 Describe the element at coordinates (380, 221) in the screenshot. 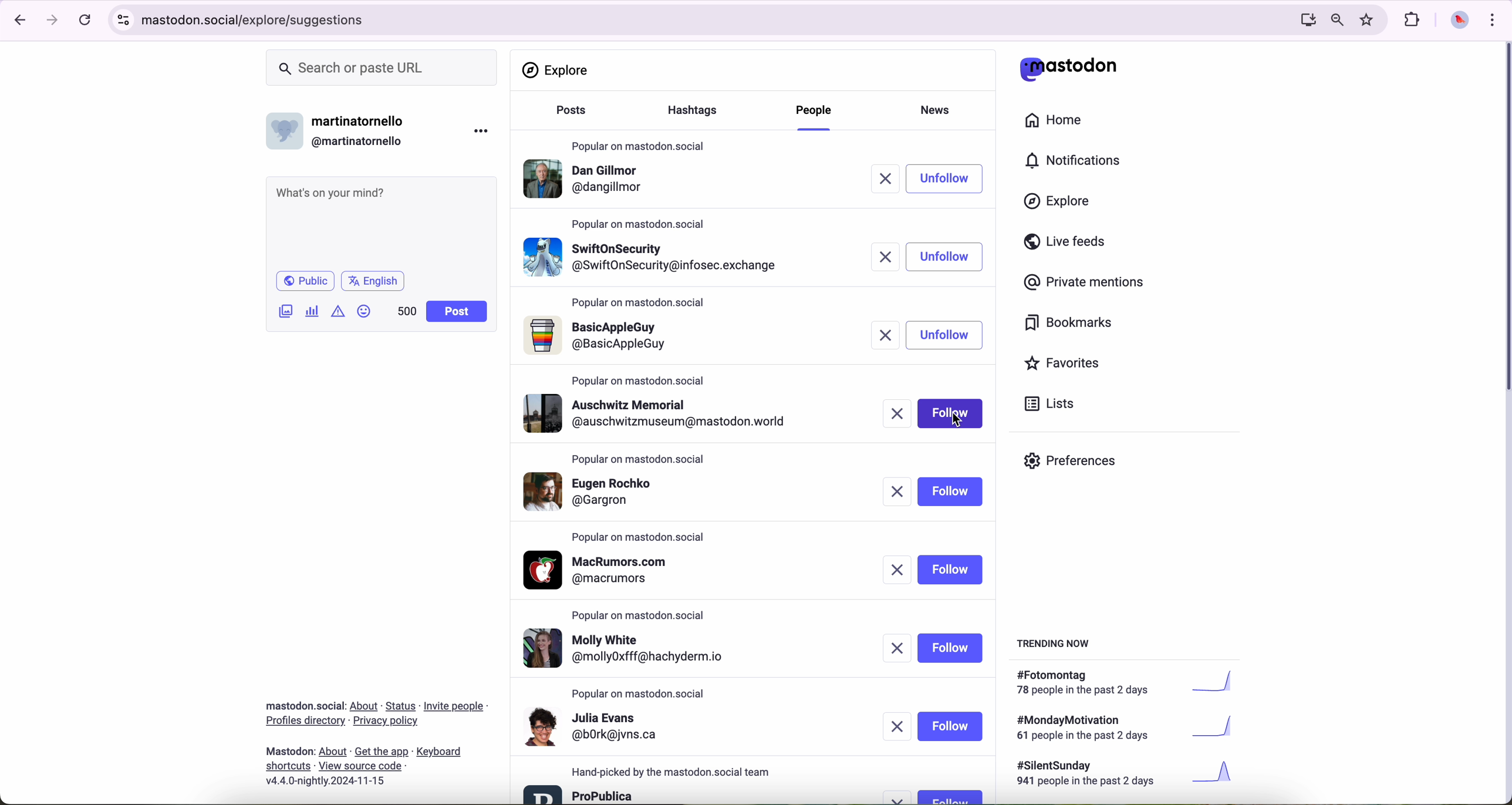

I see `what's on your mind?` at that location.